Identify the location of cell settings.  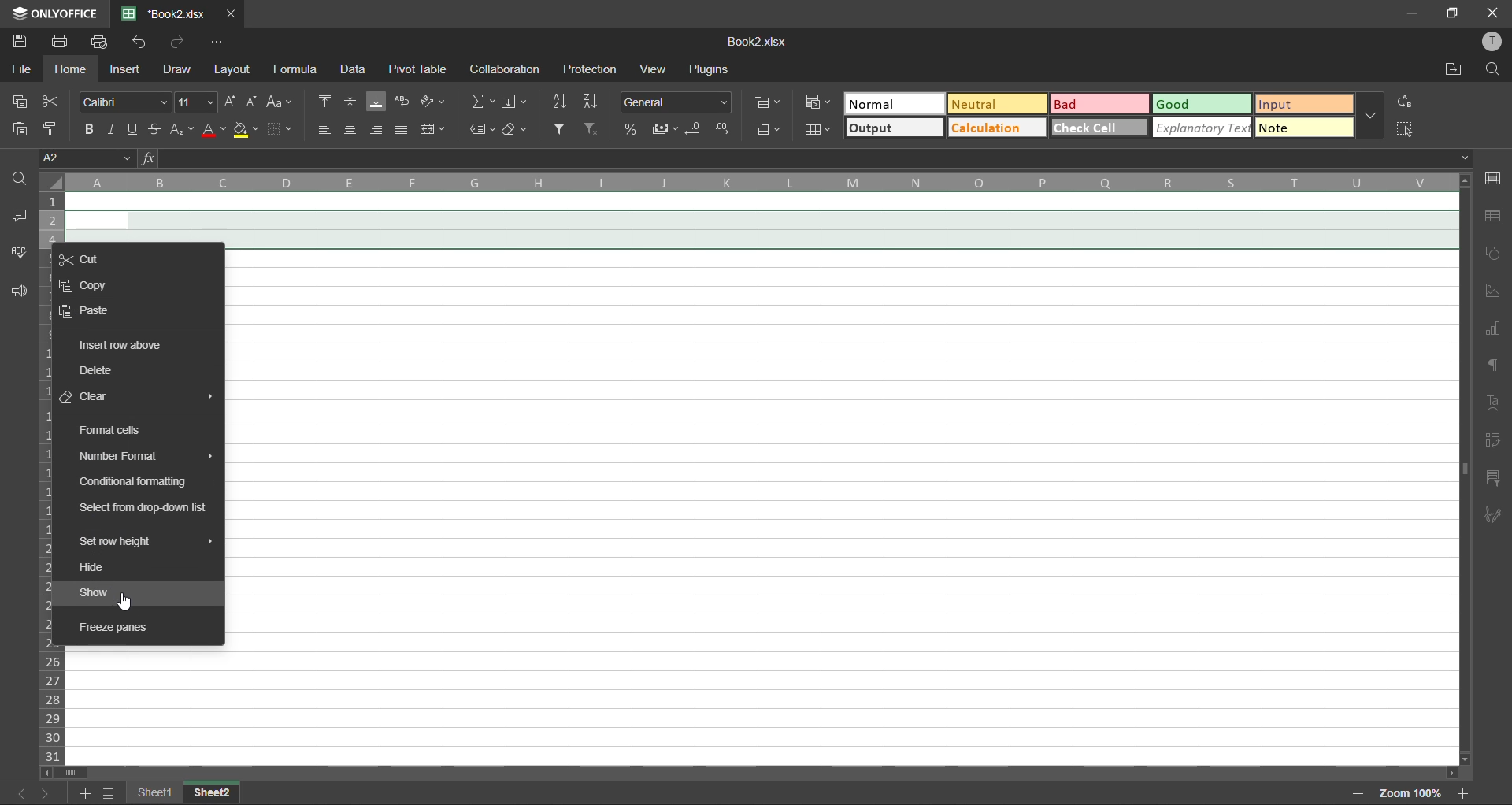
(1492, 180).